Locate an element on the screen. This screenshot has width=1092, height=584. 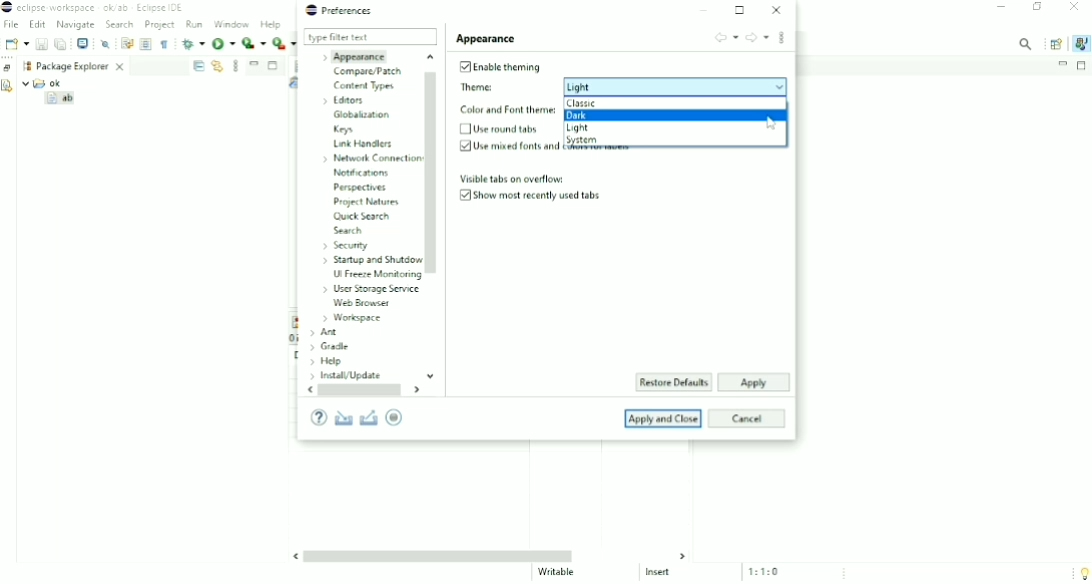
Run Last Tool is located at coordinates (285, 43).